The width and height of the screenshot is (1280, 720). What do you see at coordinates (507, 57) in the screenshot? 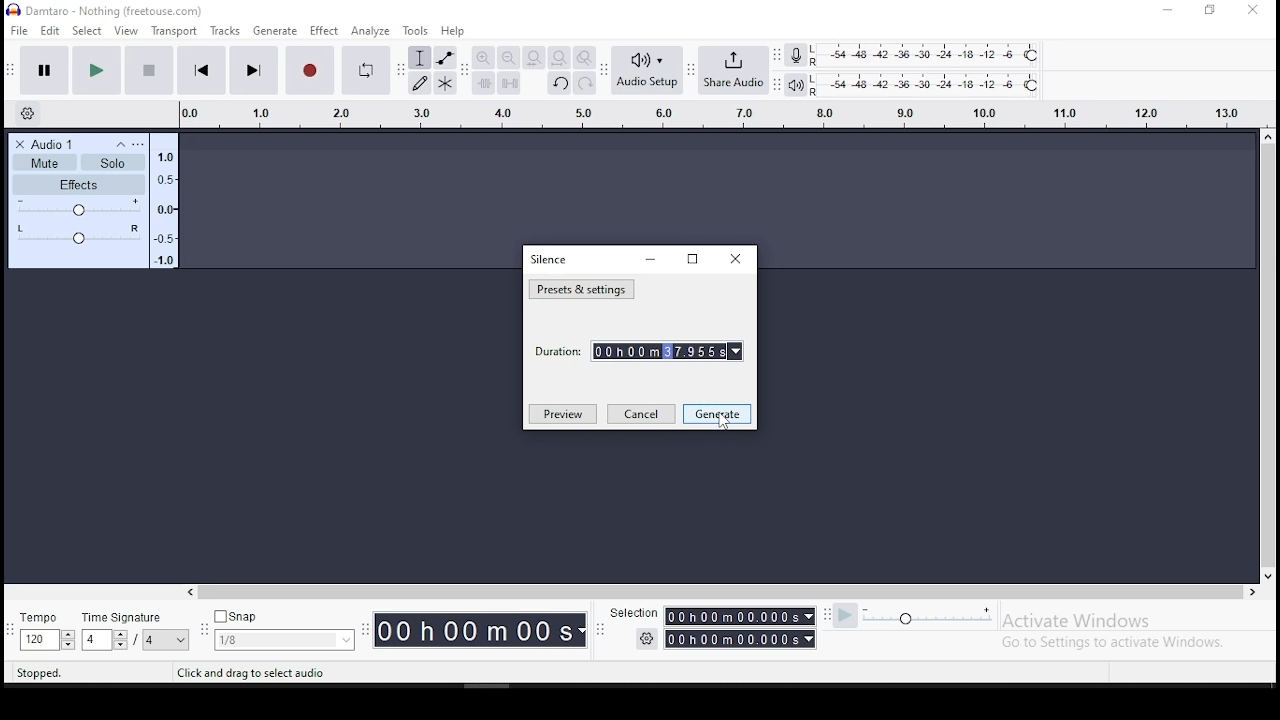
I see `zoom out` at bounding box center [507, 57].